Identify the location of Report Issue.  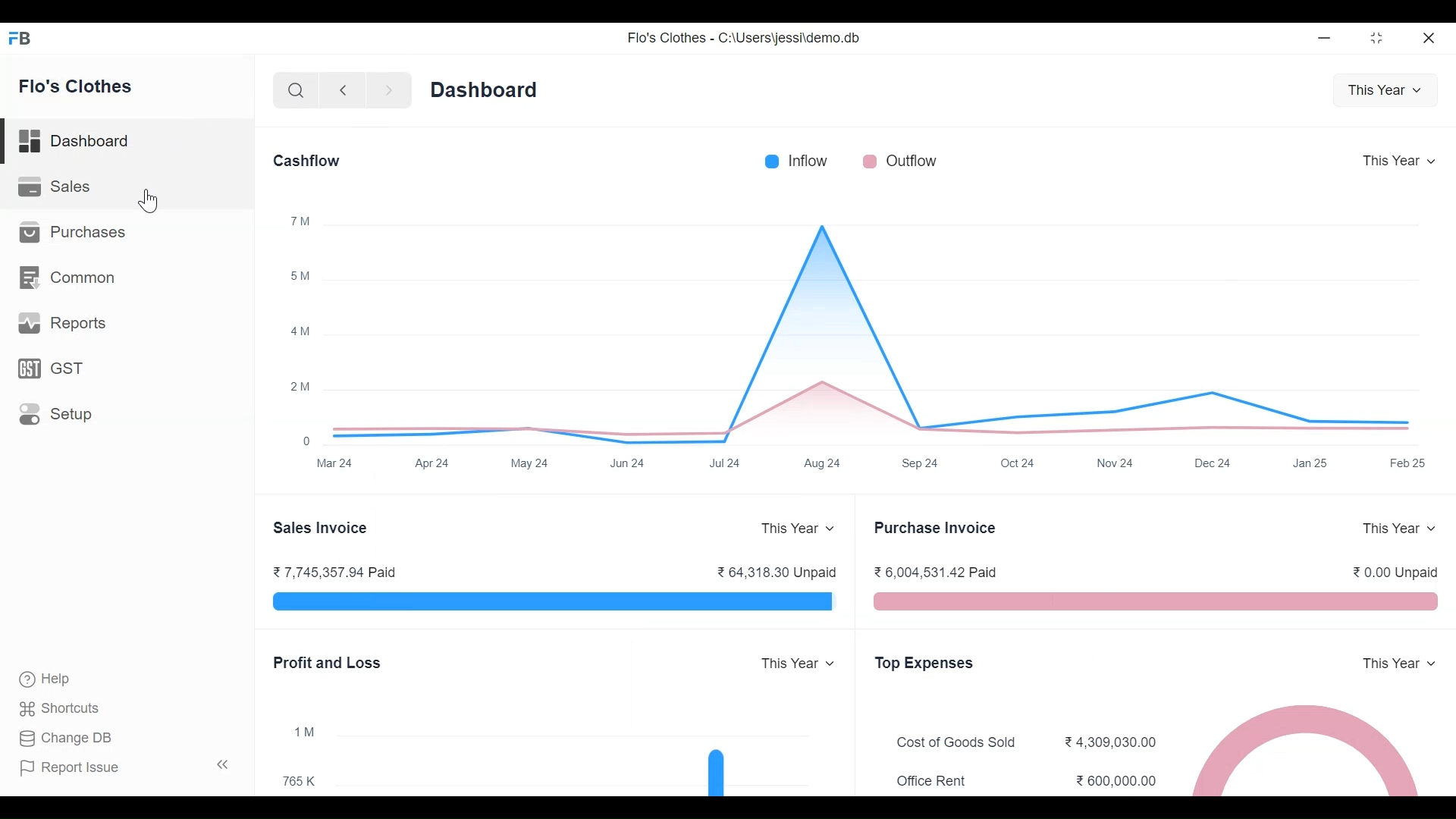
(121, 764).